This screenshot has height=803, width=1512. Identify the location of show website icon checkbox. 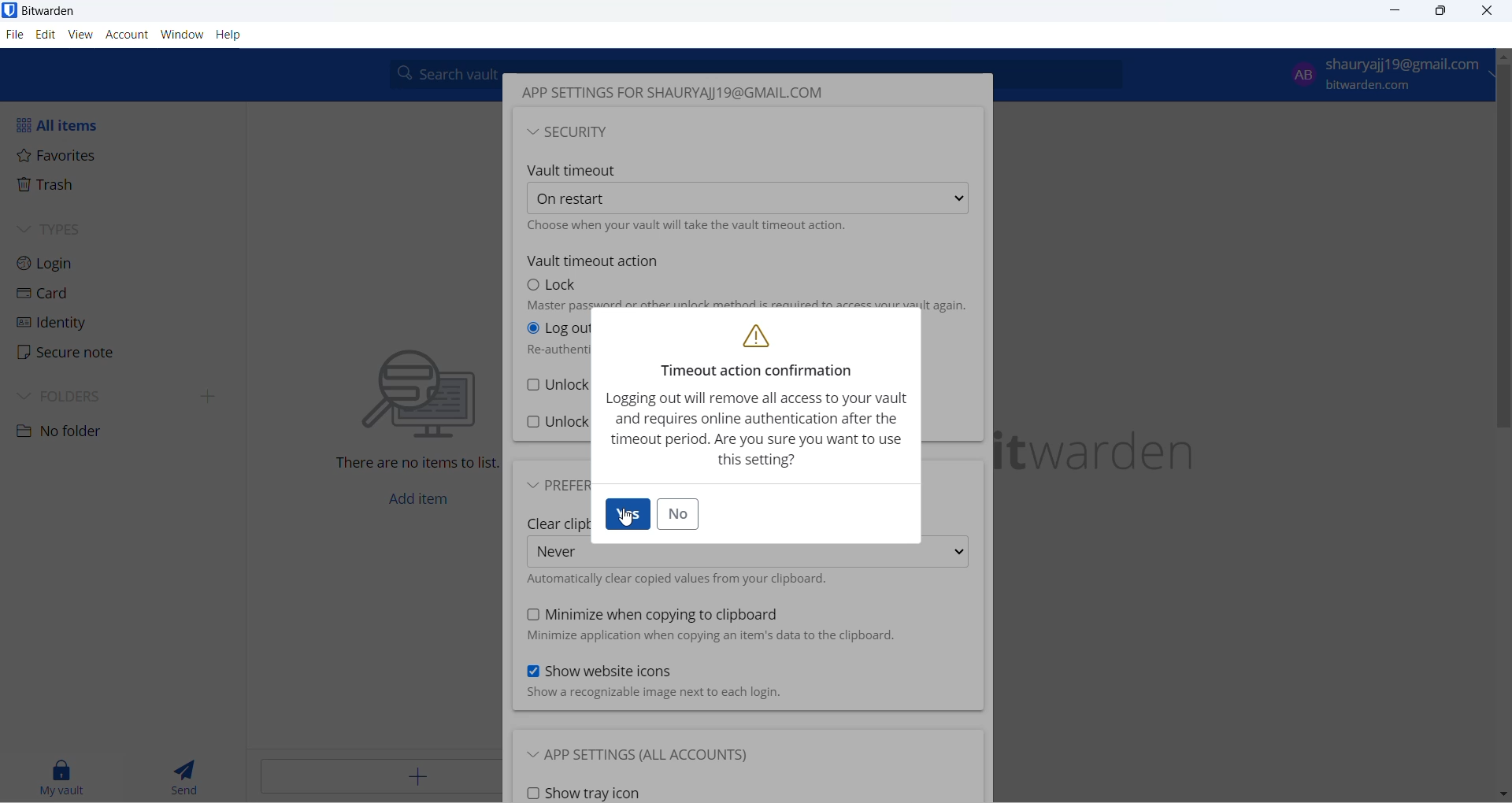
(621, 672).